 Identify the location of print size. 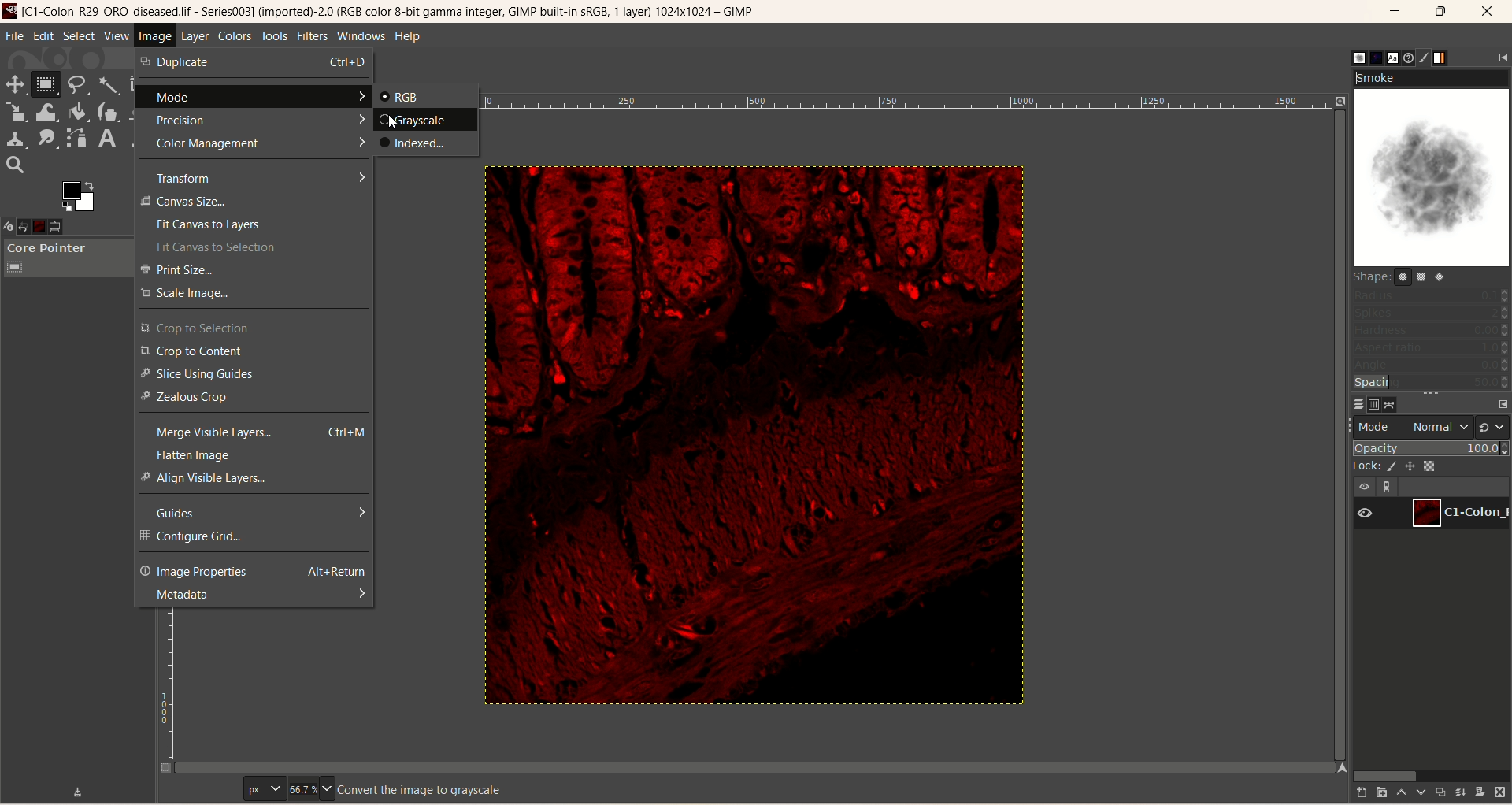
(258, 271).